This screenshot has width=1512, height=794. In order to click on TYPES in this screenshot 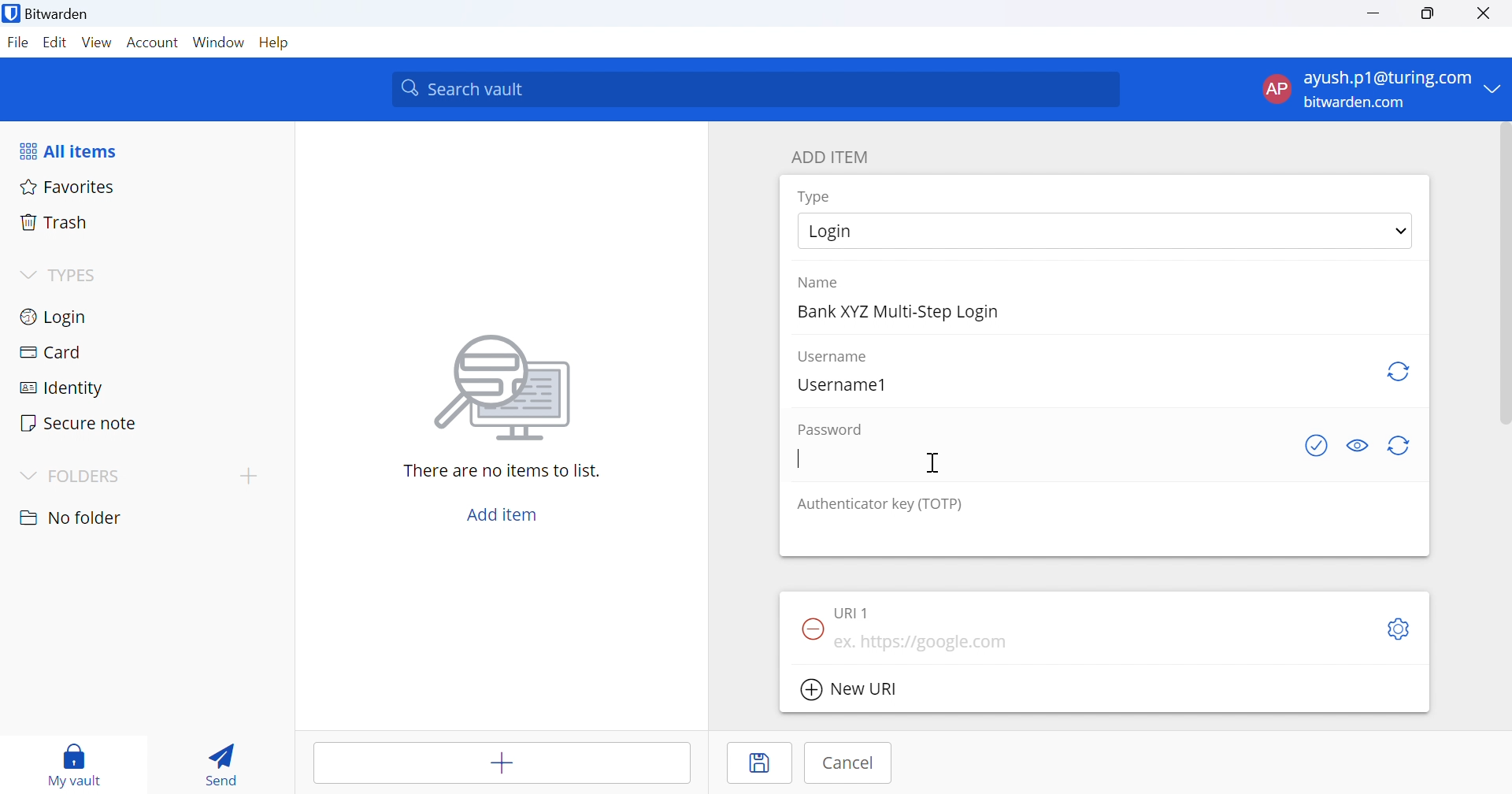, I will do `click(77, 276)`.